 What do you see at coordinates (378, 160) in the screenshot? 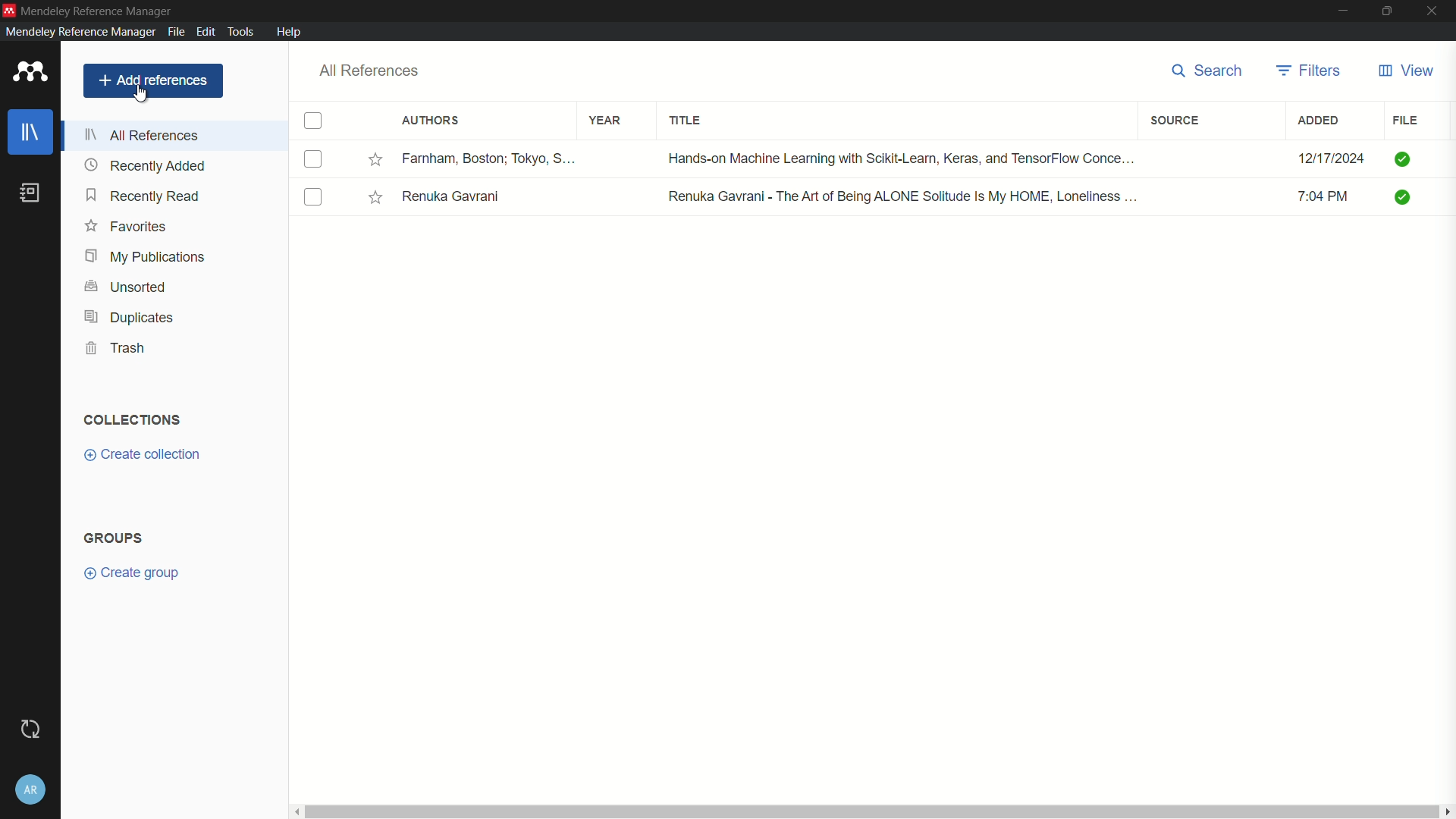
I see `favorites ` at bounding box center [378, 160].